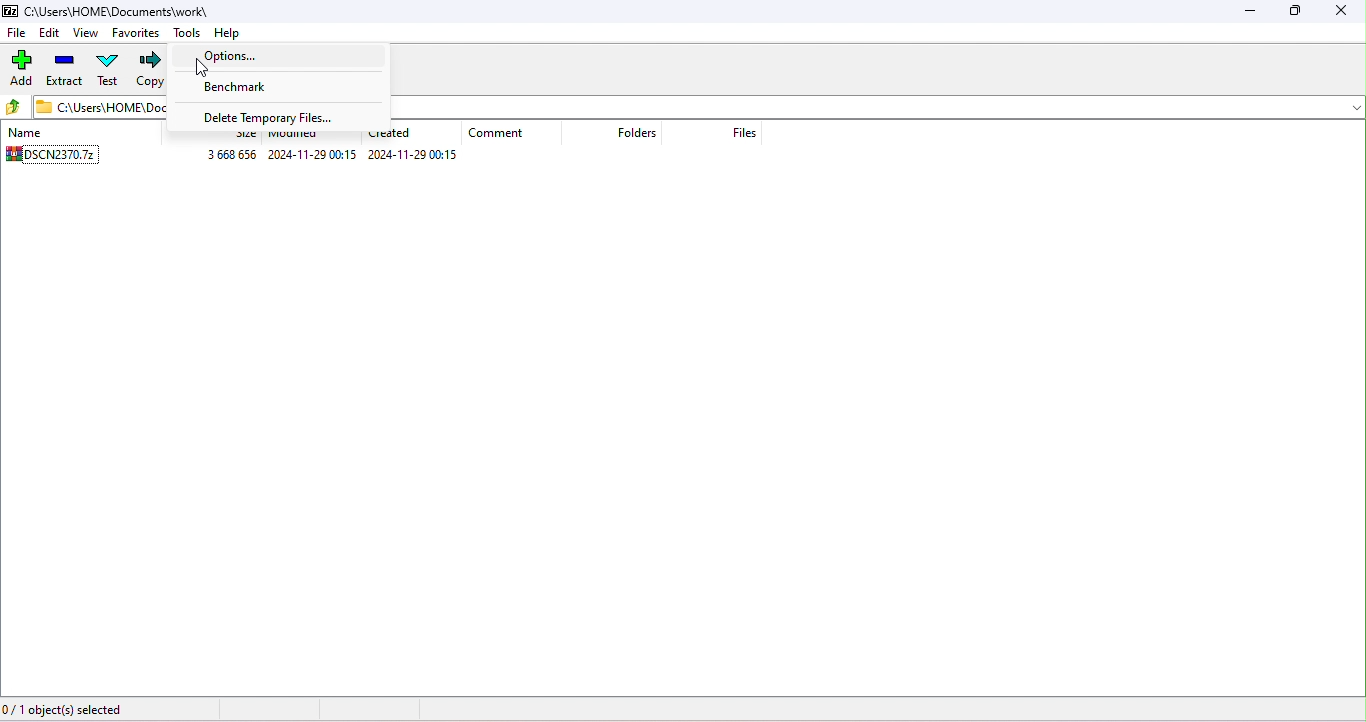 This screenshot has width=1366, height=722. Describe the element at coordinates (731, 134) in the screenshot. I see `files` at that location.